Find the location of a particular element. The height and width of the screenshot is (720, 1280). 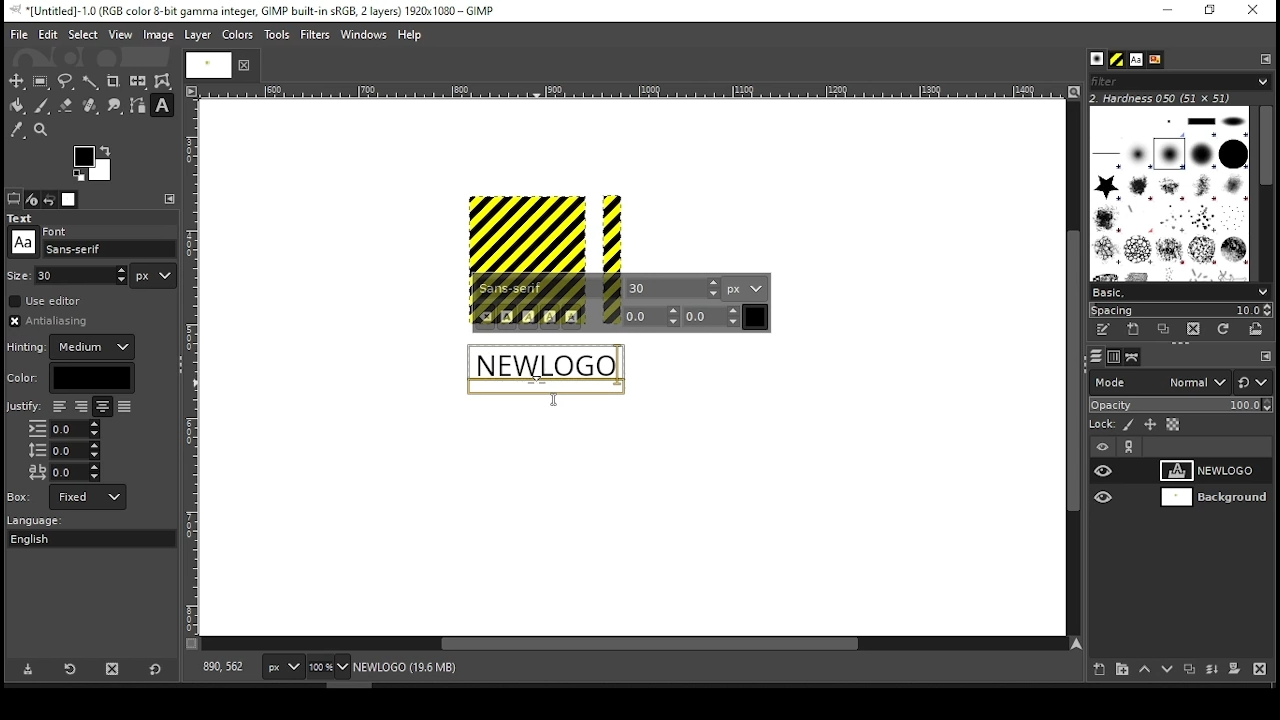

lock pixels is located at coordinates (1132, 425).